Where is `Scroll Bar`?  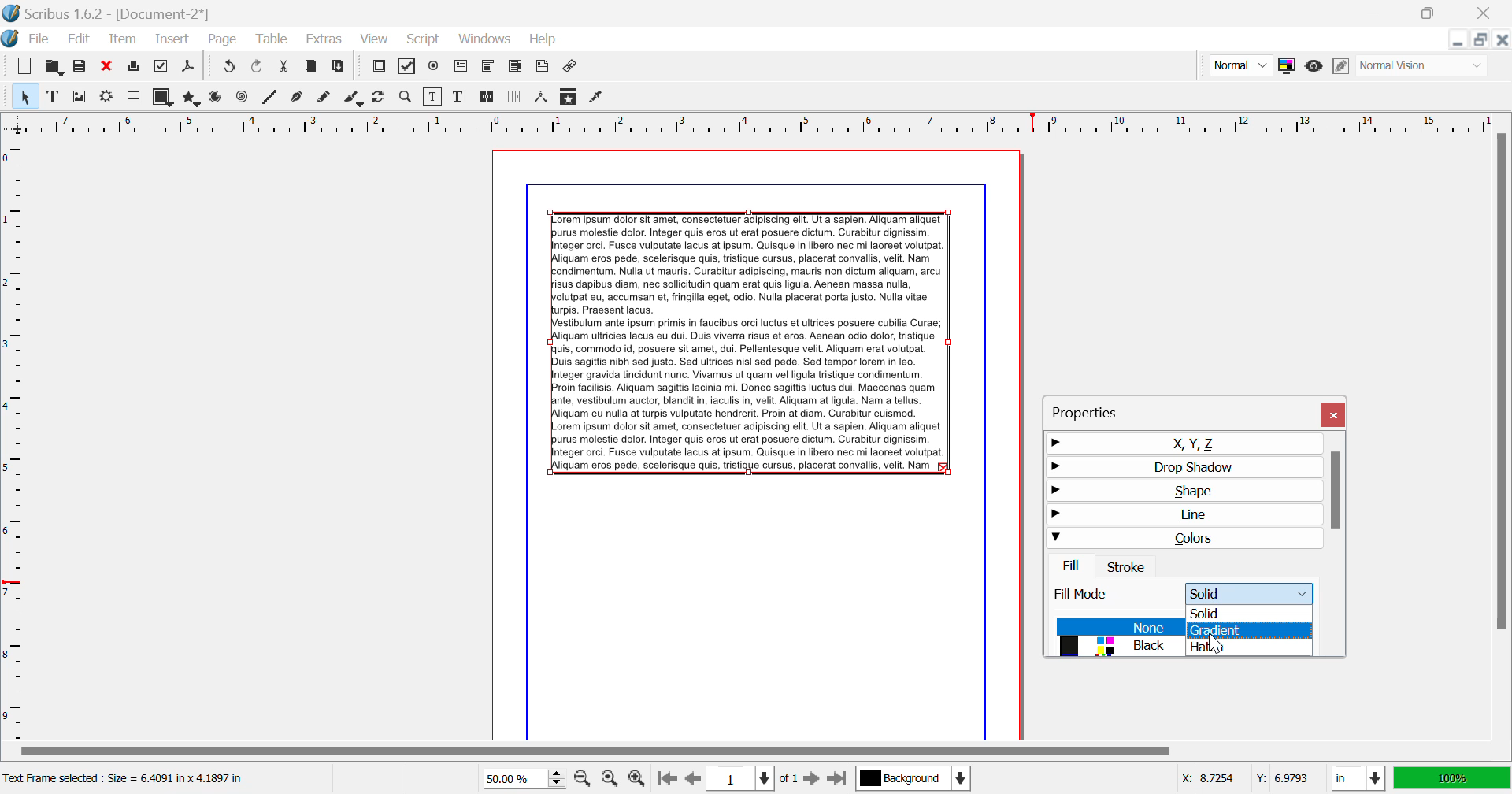
Scroll Bar is located at coordinates (755, 752).